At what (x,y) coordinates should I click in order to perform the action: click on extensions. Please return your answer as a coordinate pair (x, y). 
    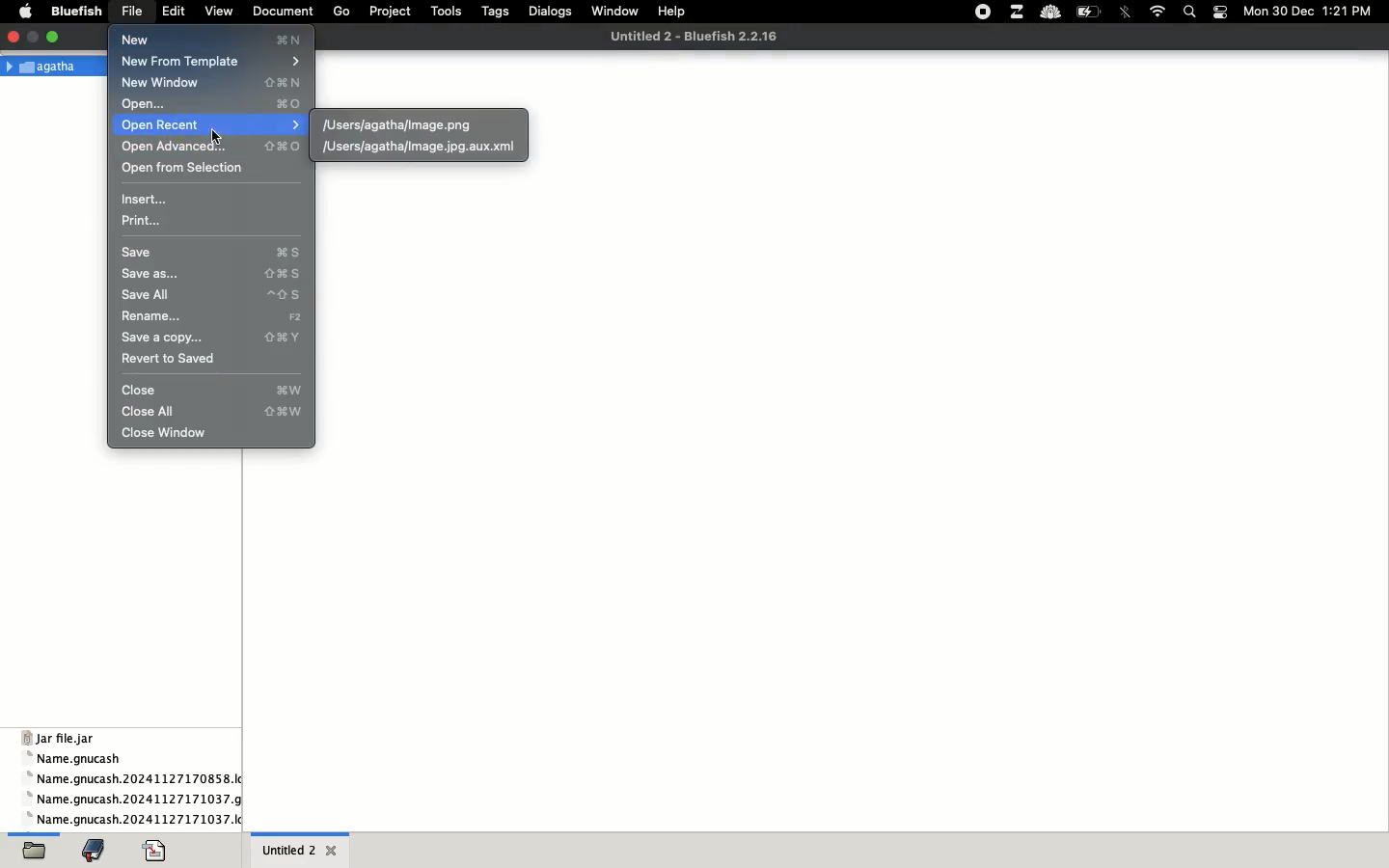
    Looking at the image, I should click on (1019, 12).